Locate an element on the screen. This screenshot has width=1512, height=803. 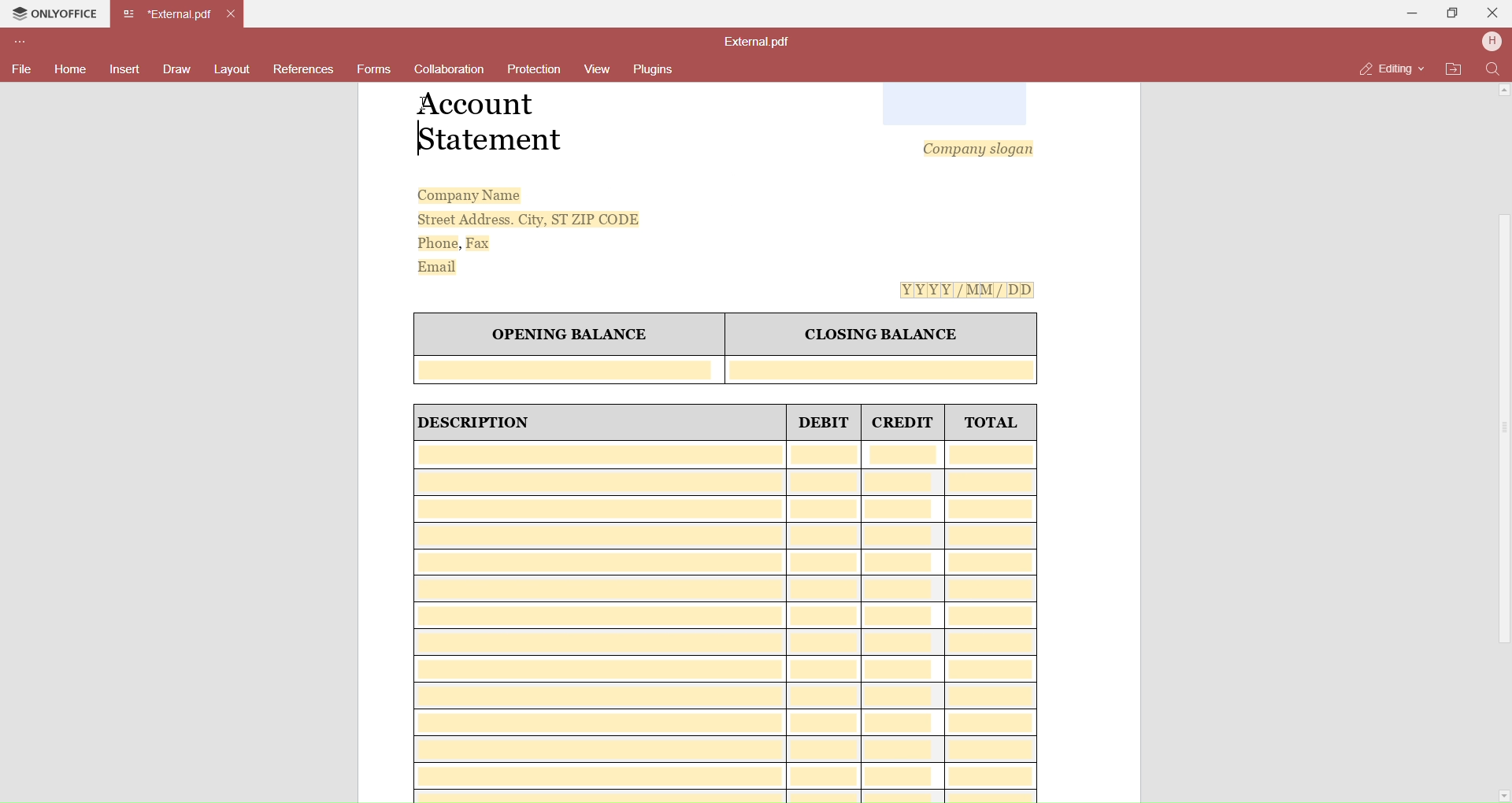
Protection is located at coordinates (535, 72).